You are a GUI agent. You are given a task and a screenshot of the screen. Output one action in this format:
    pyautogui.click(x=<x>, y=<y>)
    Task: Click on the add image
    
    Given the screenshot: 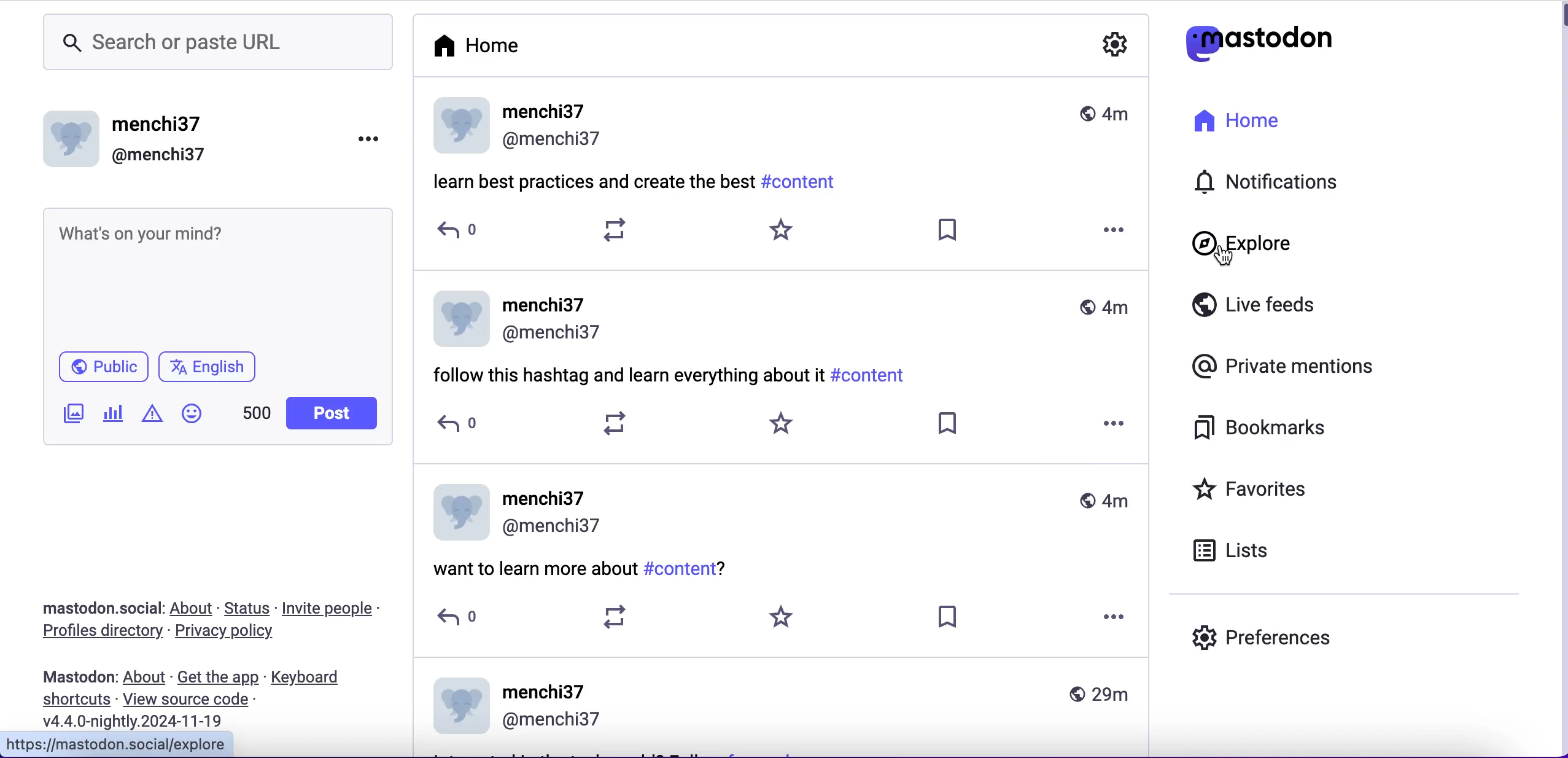 What is the action you would take?
    pyautogui.click(x=71, y=413)
    